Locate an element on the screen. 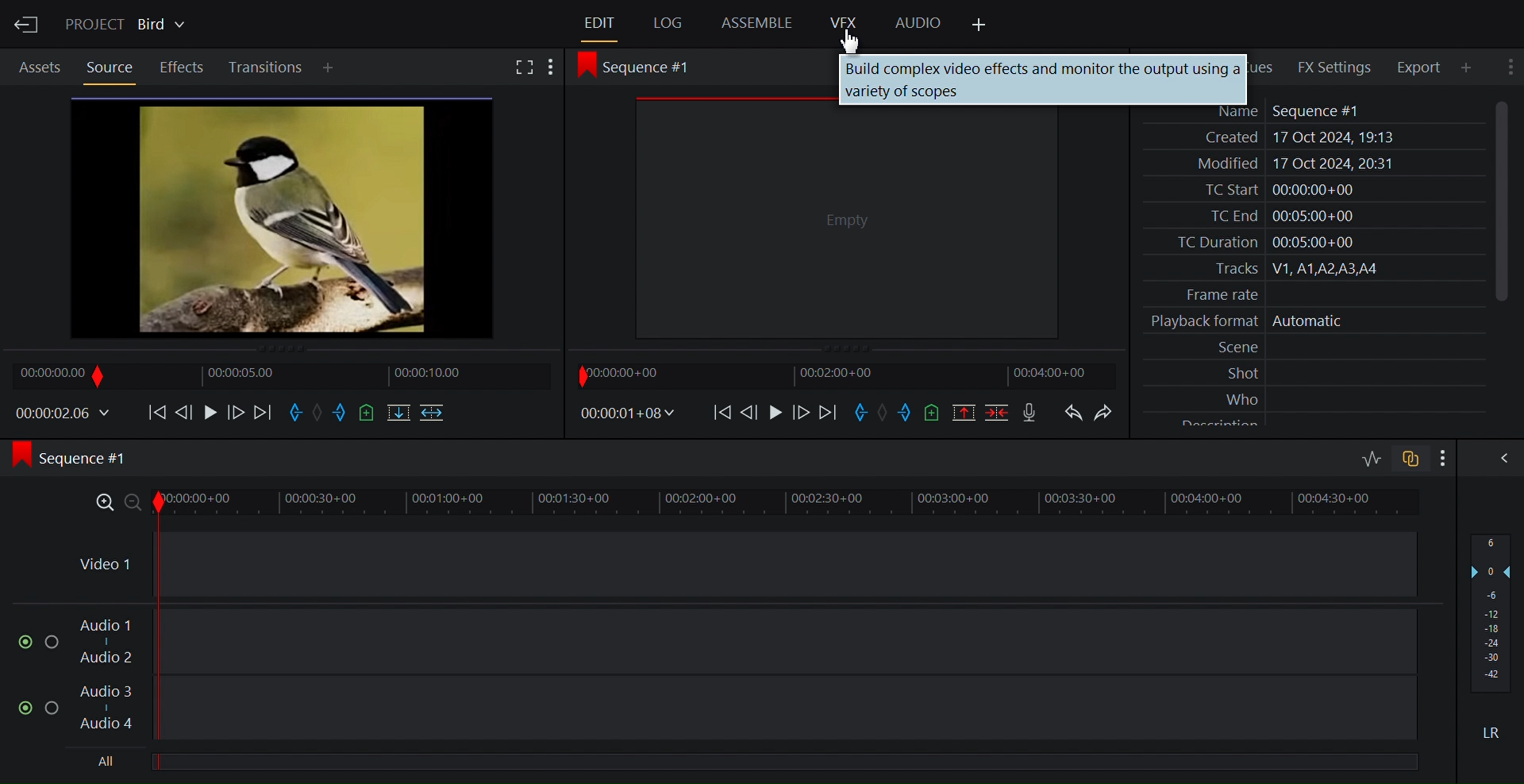 The height and width of the screenshot is (784, 1524). Edit is located at coordinates (602, 25).